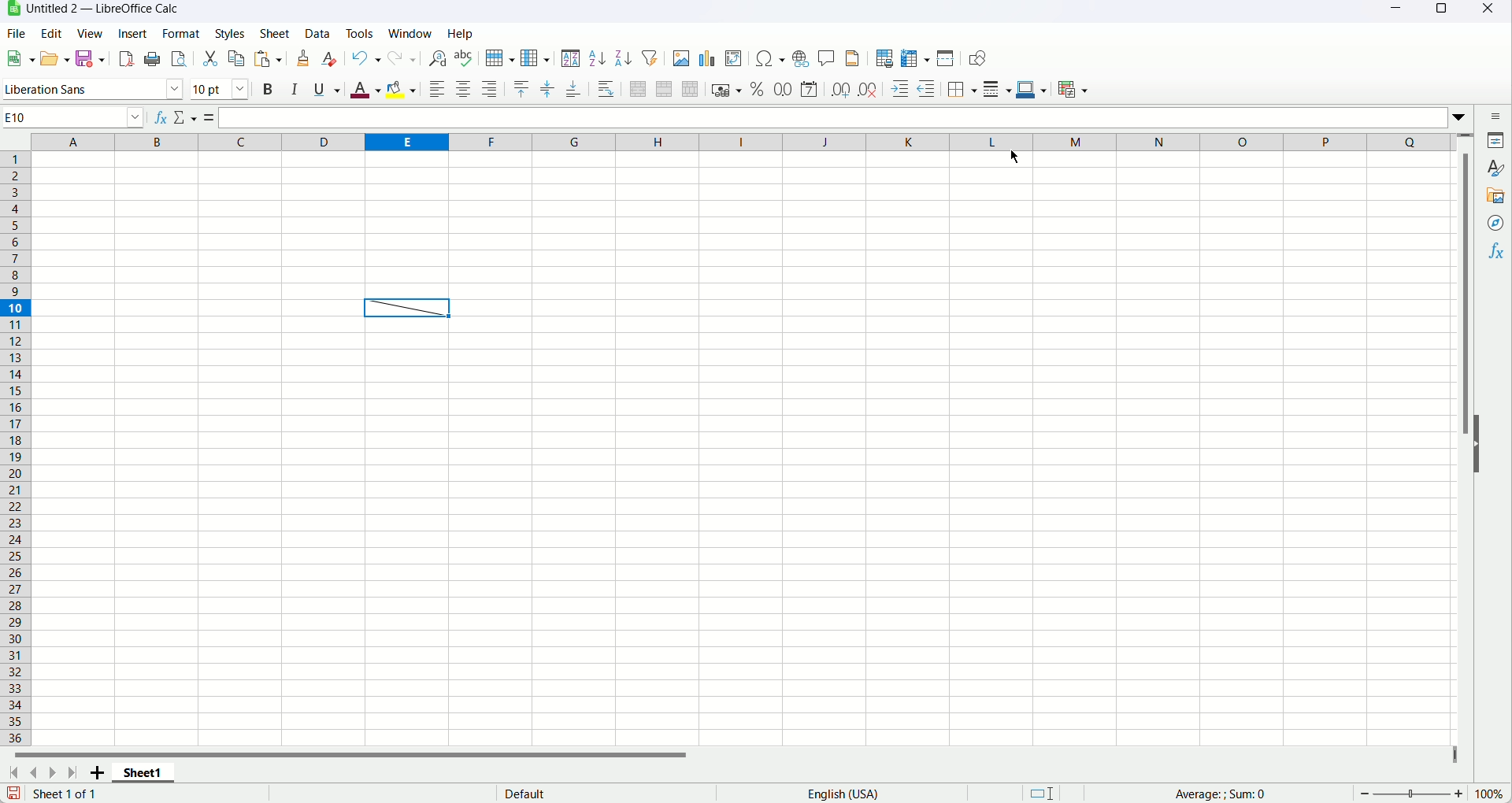 This screenshot has height=803, width=1512. Describe the element at coordinates (33, 774) in the screenshot. I see `Scroll to previous sheet` at that location.